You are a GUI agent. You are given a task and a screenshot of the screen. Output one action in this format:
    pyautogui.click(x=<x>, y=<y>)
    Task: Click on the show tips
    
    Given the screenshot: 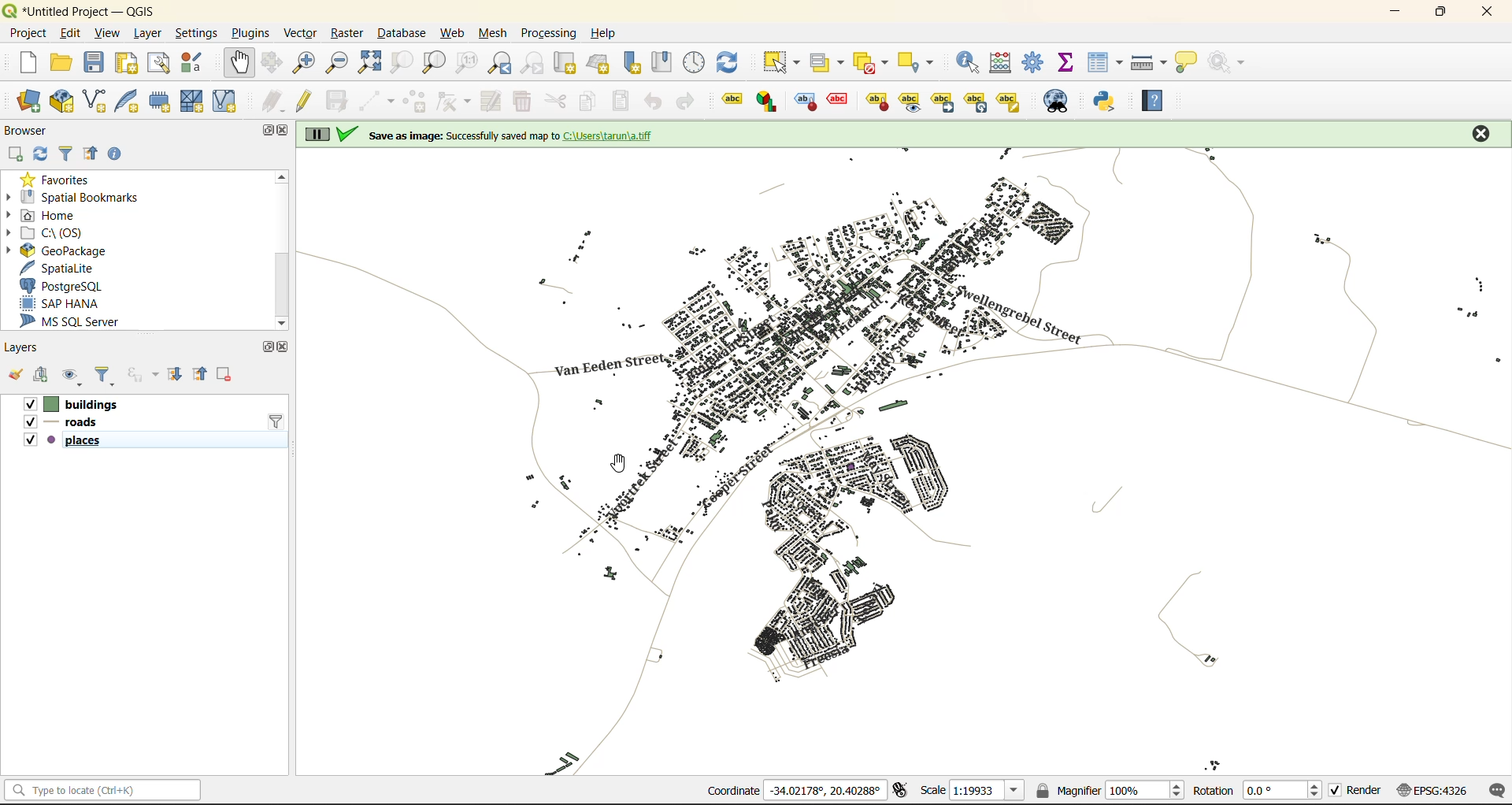 What is the action you would take?
    pyautogui.click(x=1191, y=61)
    